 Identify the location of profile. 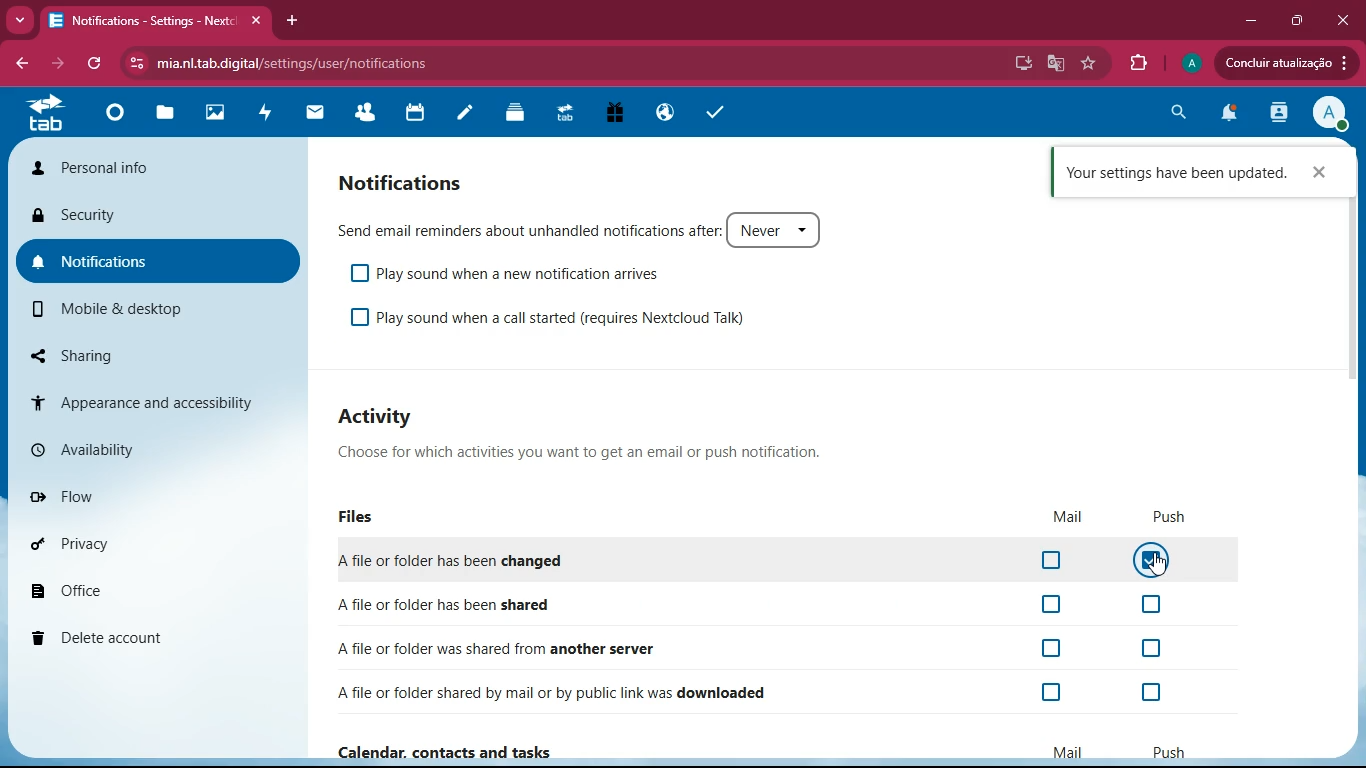
(1331, 112).